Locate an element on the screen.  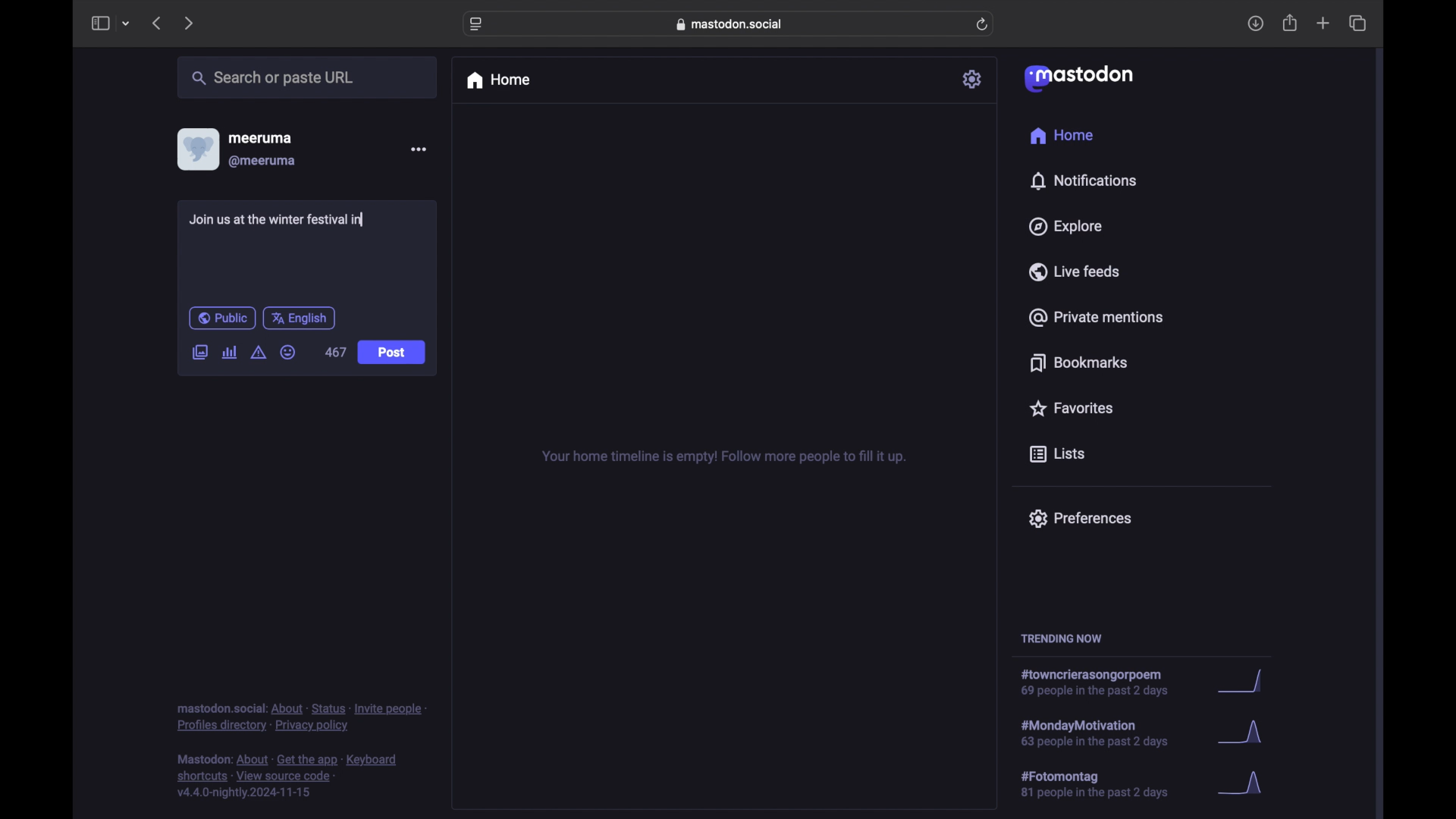
hashtag trend is located at coordinates (1105, 785).